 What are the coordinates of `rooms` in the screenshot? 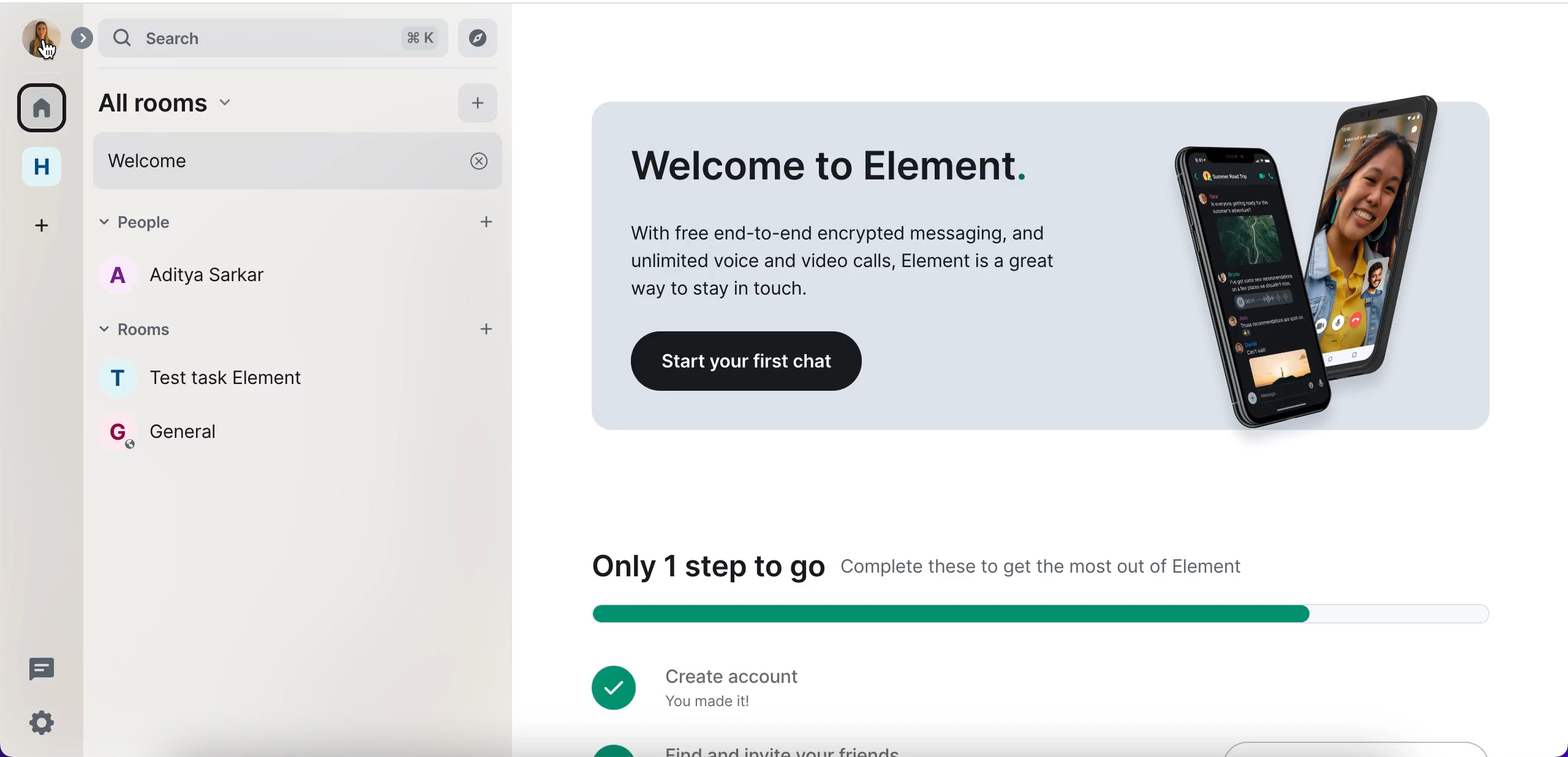 It's located at (248, 325).